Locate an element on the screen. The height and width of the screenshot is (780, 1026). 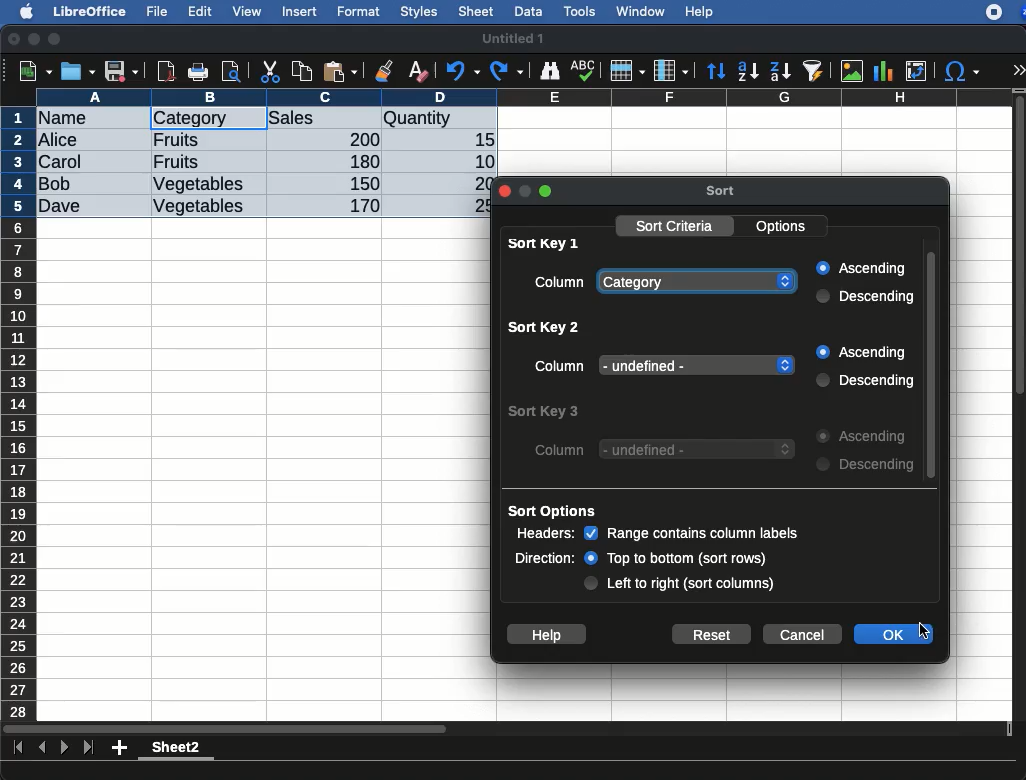
scroll is located at coordinates (932, 362).